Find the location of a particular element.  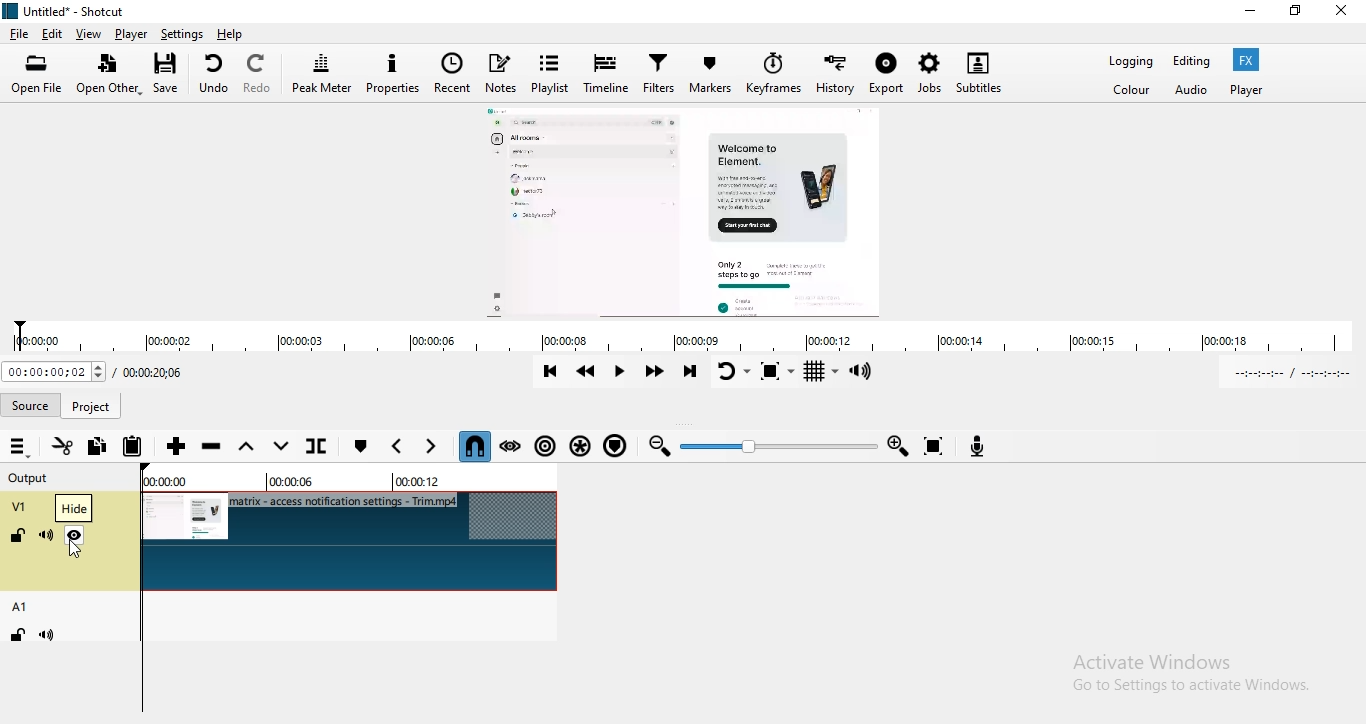

Settings is located at coordinates (182, 34).